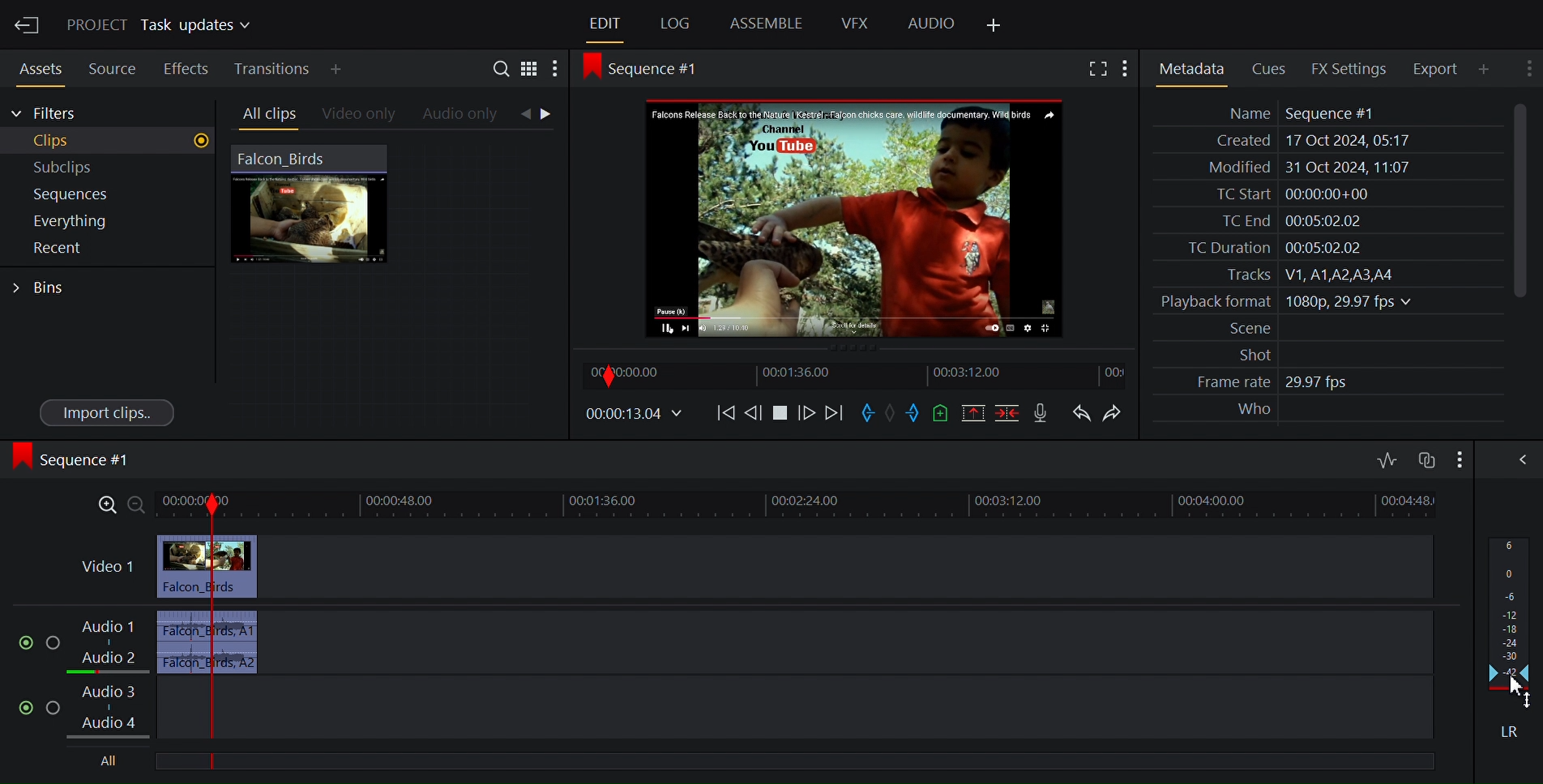 Image resolution: width=1543 pixels, height=784 pixels. I want to click on Import clips, so click(105, 413).